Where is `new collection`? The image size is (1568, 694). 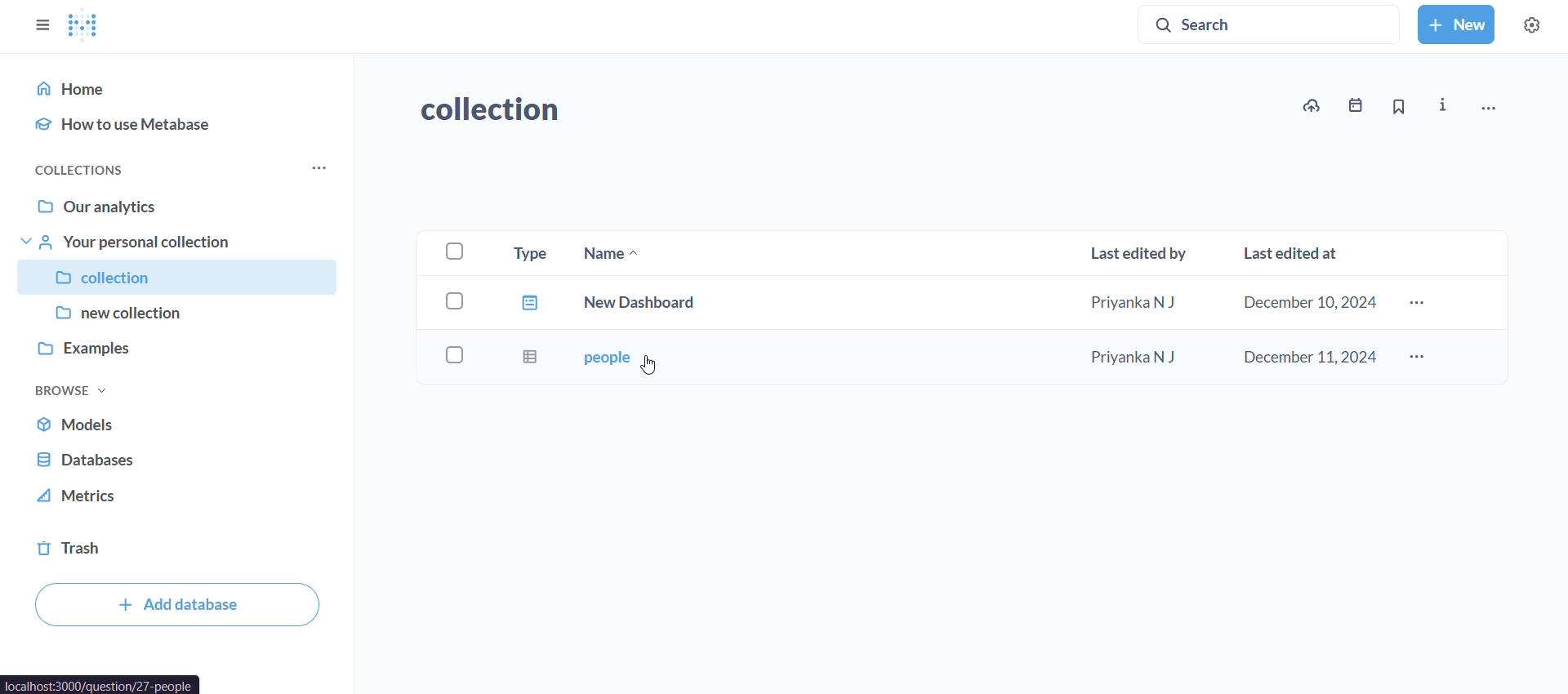 new collection is located at coordinates (179, 317).